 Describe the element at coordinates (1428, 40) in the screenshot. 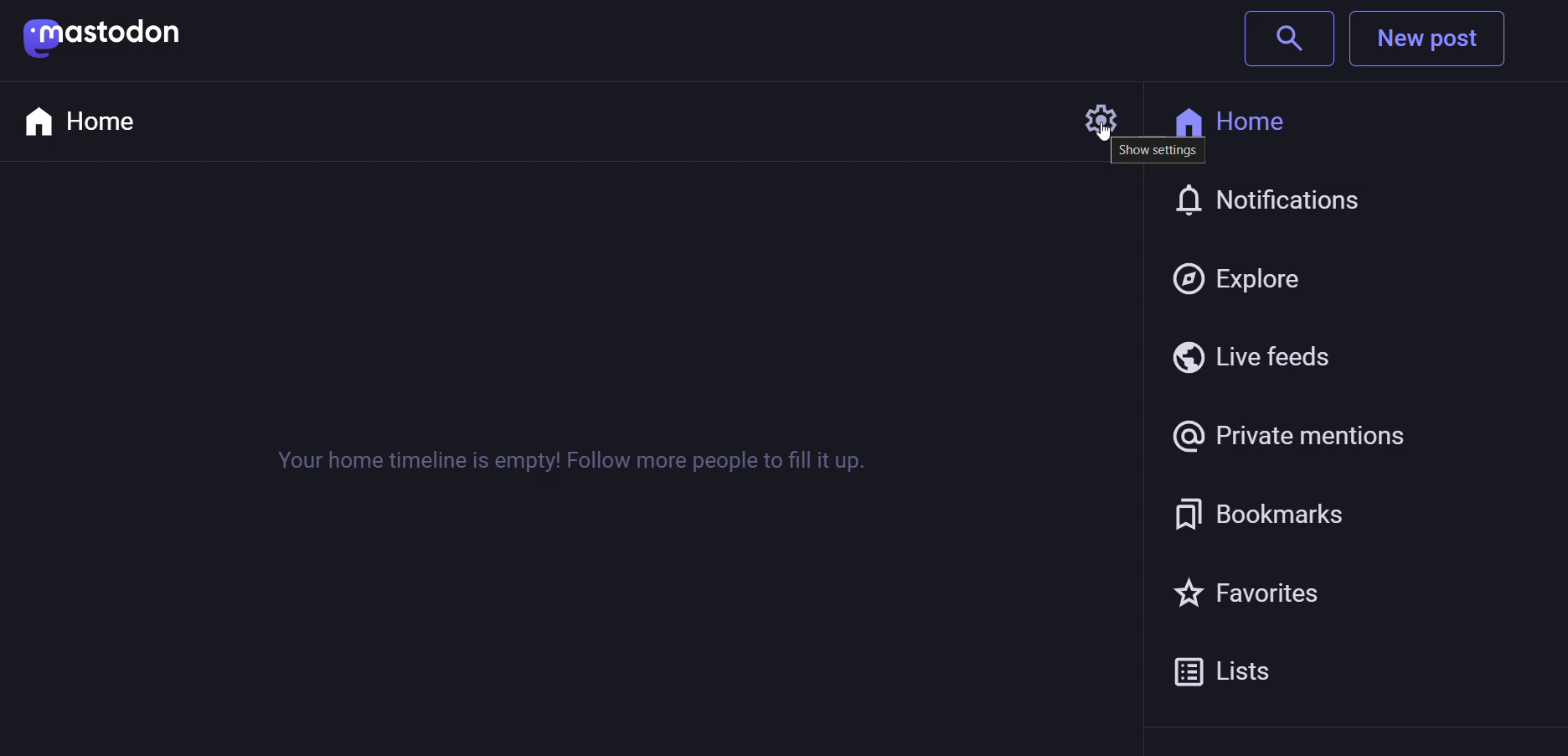

I see `New post` at that location.